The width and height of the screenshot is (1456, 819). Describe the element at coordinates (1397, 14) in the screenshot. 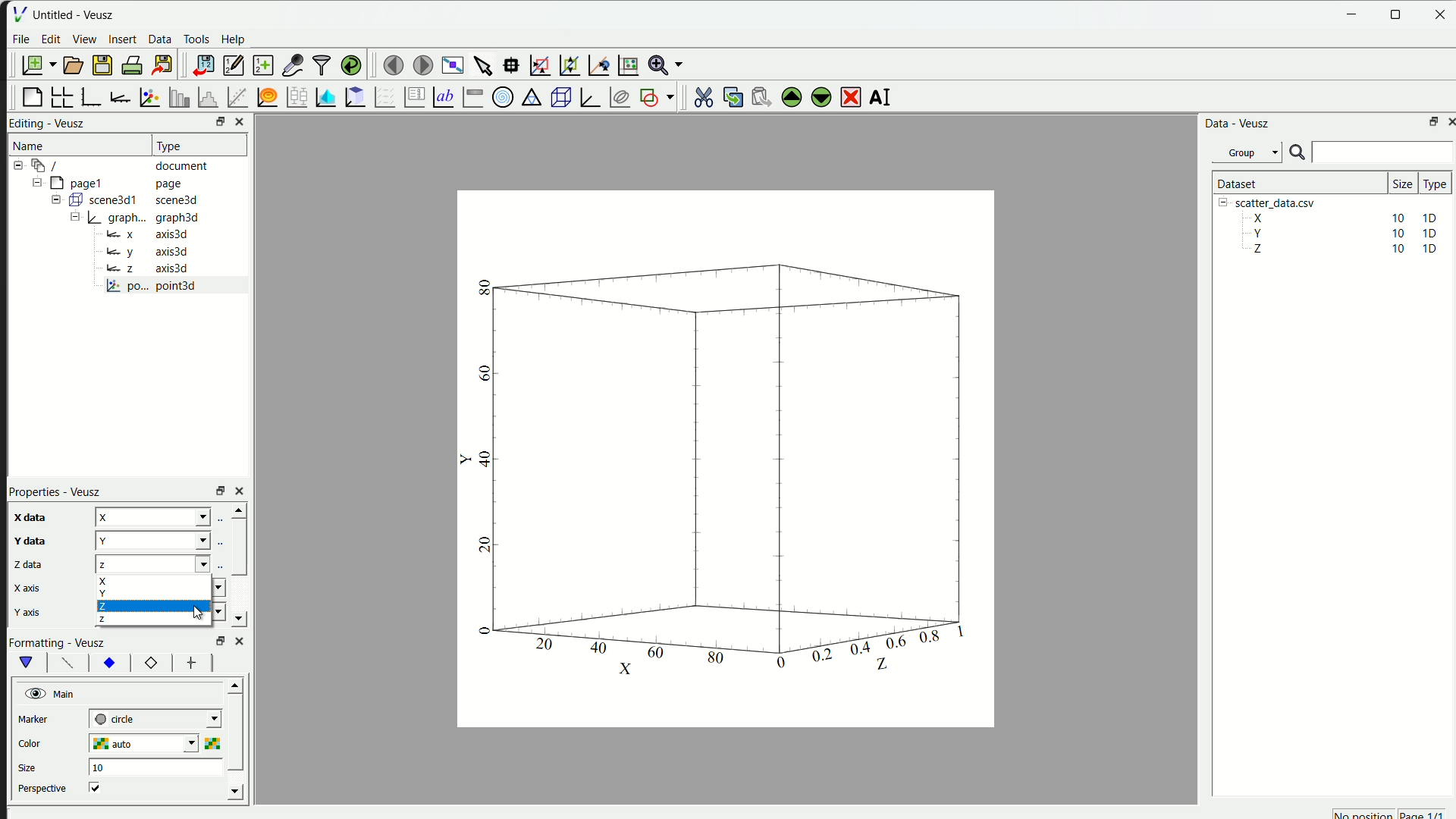

I see `resize` at that location.